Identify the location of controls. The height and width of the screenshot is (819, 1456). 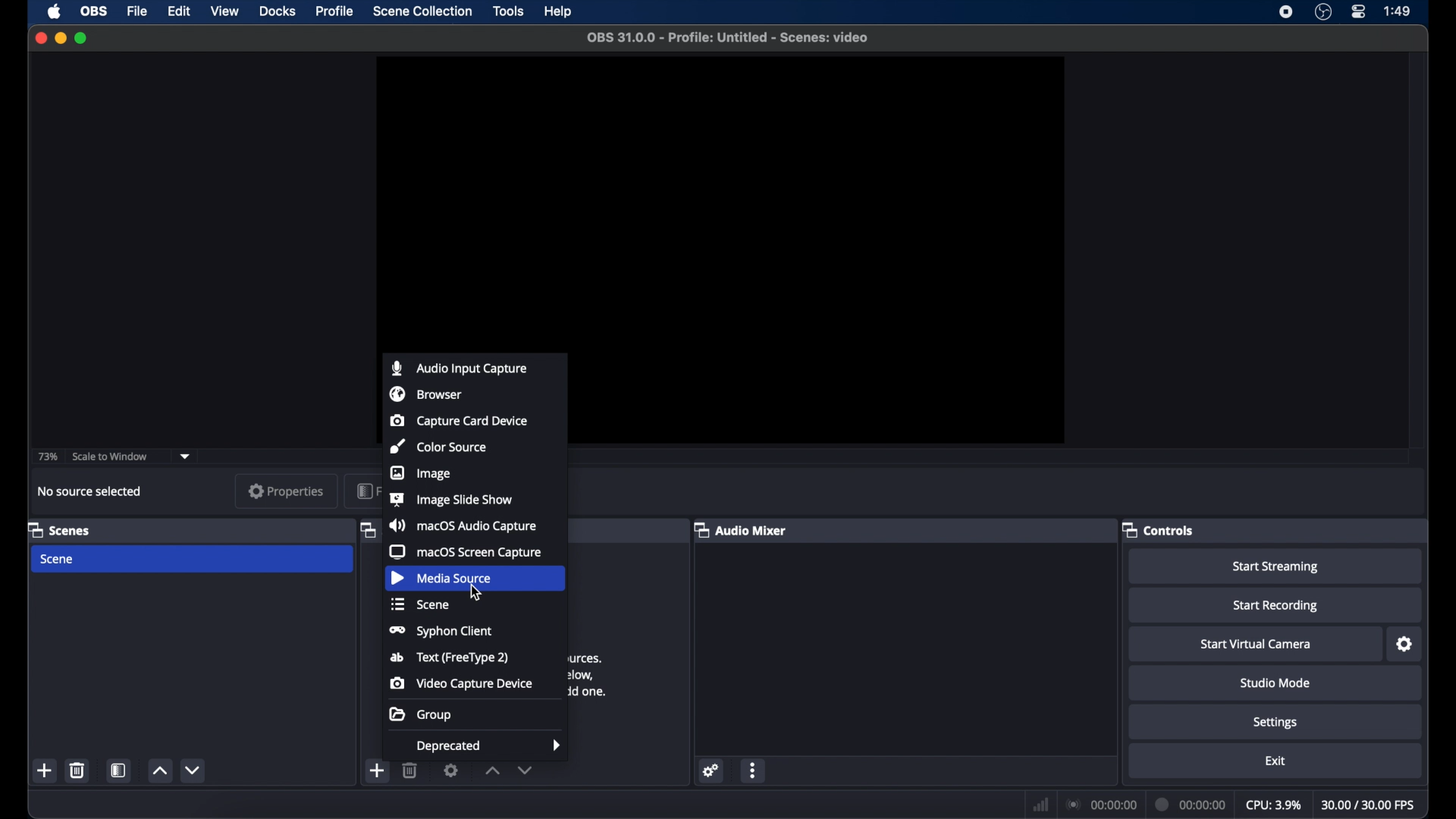
(1156, 530).